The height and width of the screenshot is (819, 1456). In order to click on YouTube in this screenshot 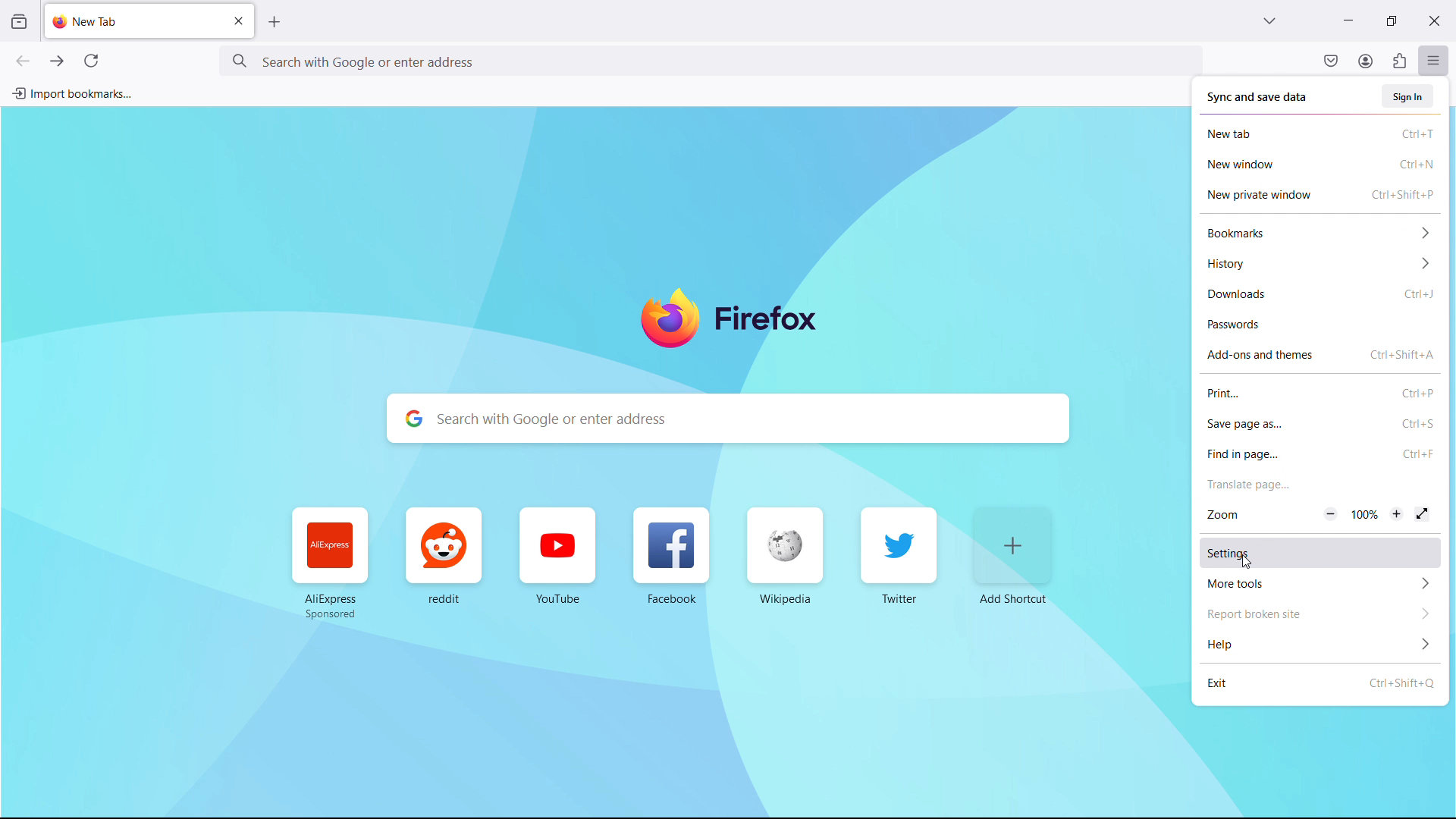, I will do `click(563, 555)`.